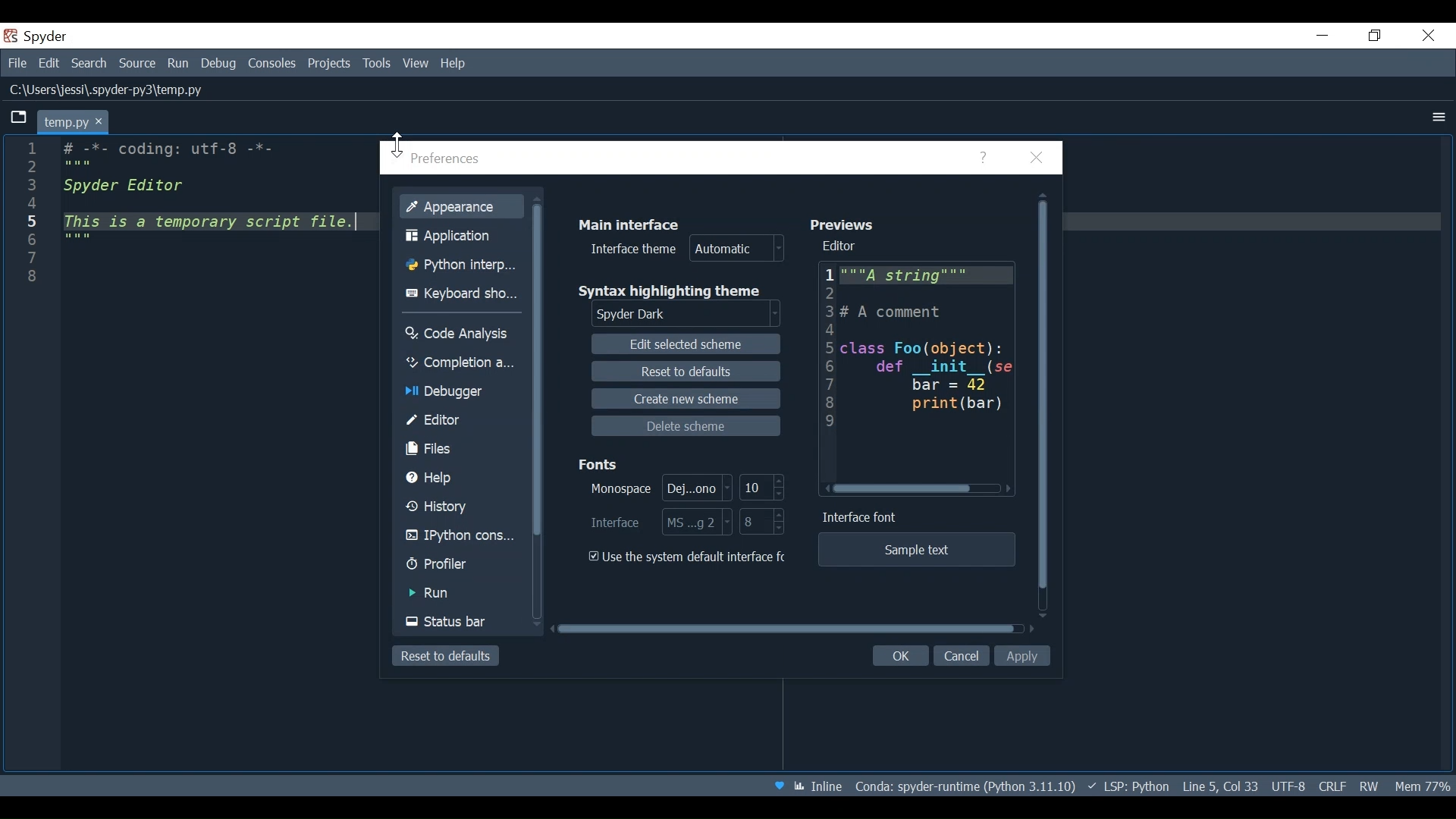  I want to click on Python interpreter, so click(461, 265).